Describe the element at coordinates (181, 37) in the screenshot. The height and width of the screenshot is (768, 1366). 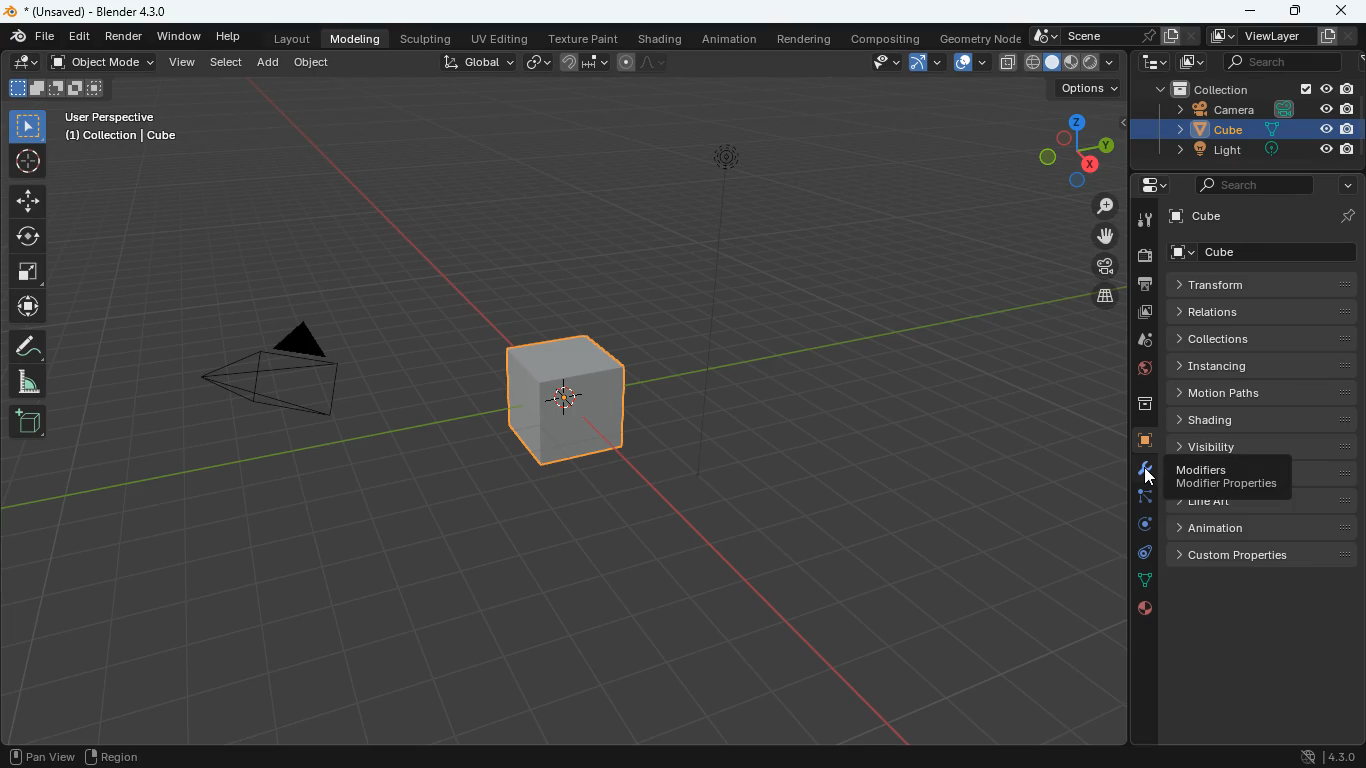
I see `window` at that location.